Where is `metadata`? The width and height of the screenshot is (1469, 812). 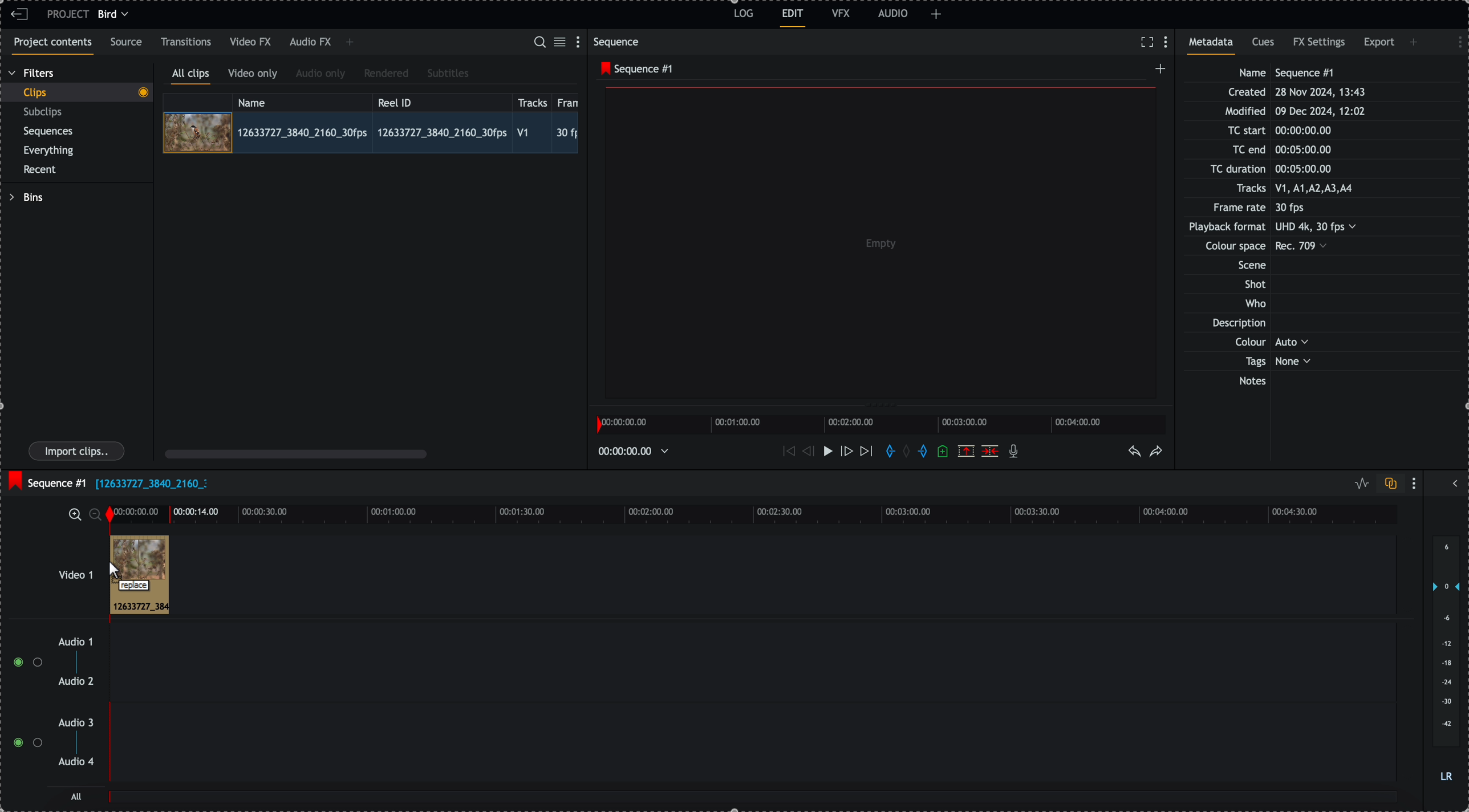
metadata is located at coordinates (1284, 228).